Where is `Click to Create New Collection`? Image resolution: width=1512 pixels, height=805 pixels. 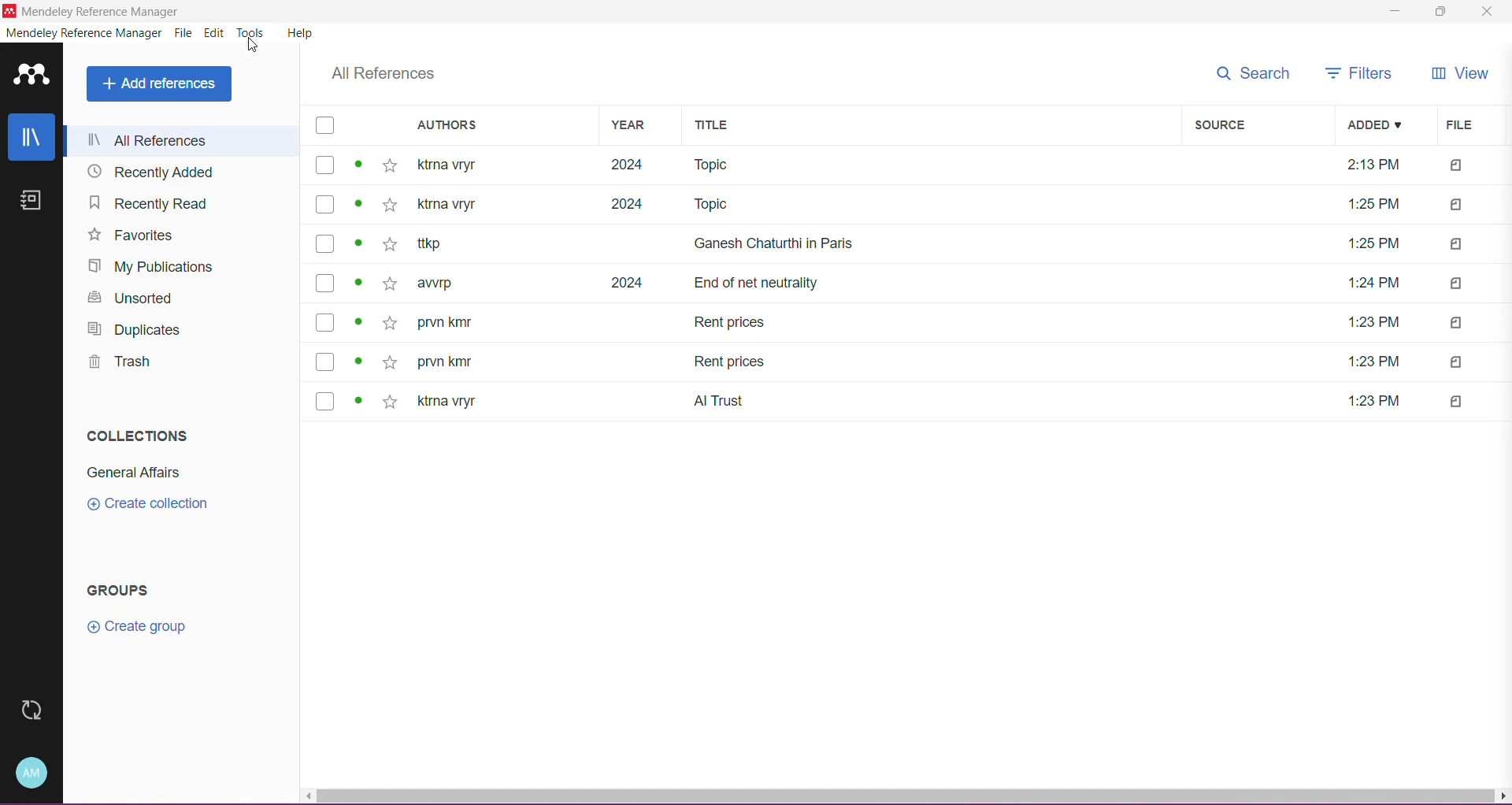 Click to Create New Collection is located at coordinates (158, 505).